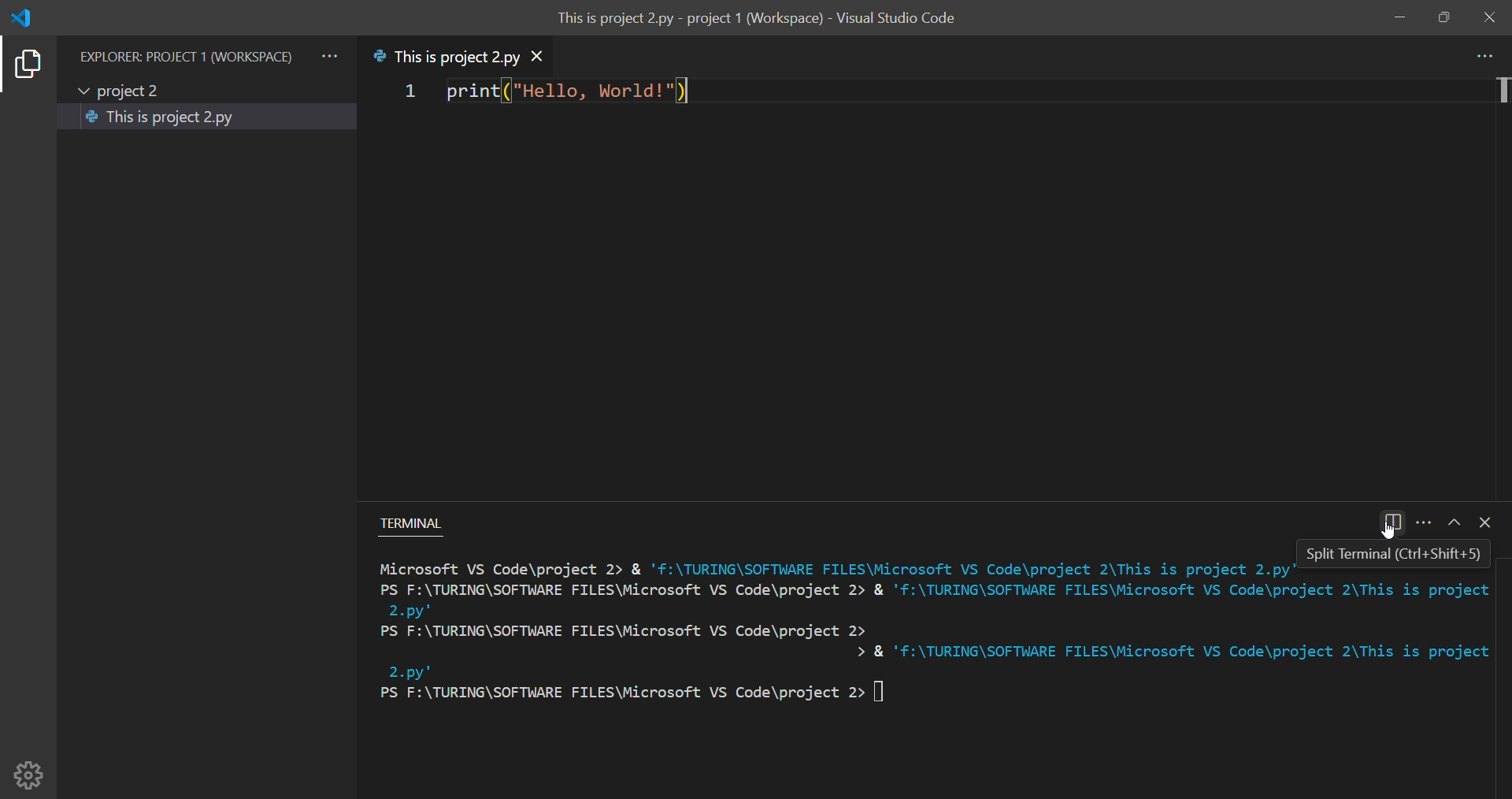 The width and height of the screenshot is (1512, 799). I want to click on terminal, so click(420, 520).